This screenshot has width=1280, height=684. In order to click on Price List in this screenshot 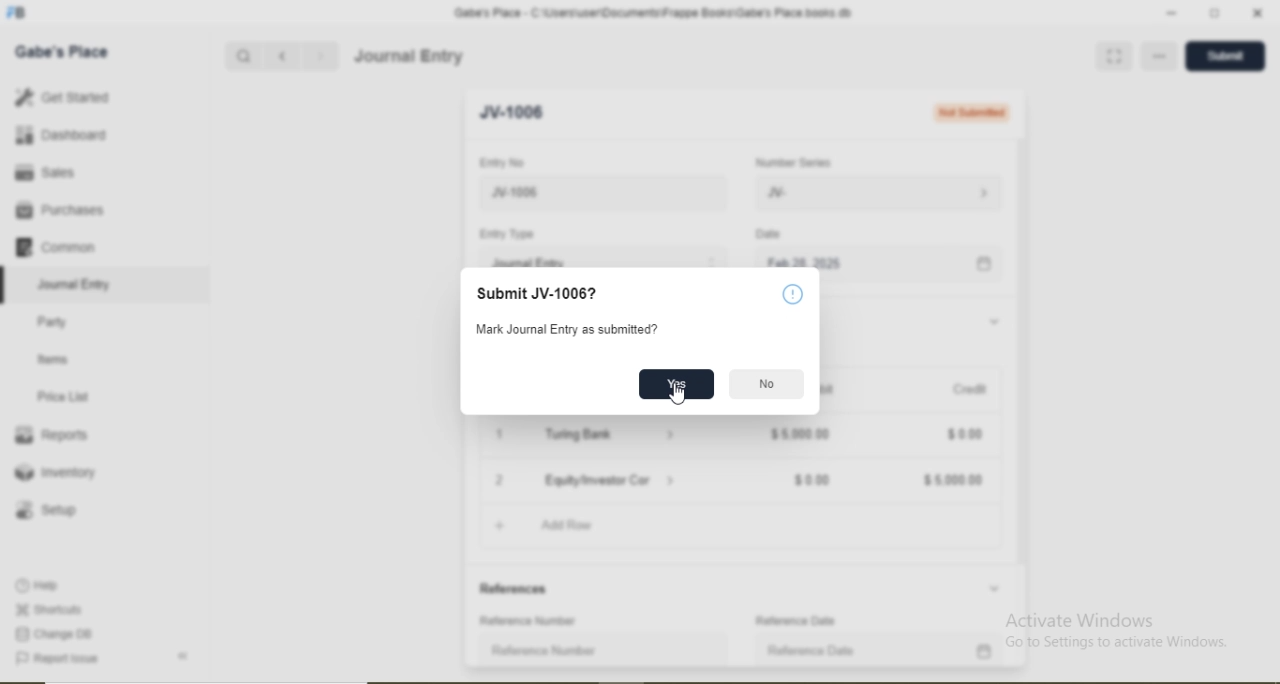, I will do `click(62, 397)`.